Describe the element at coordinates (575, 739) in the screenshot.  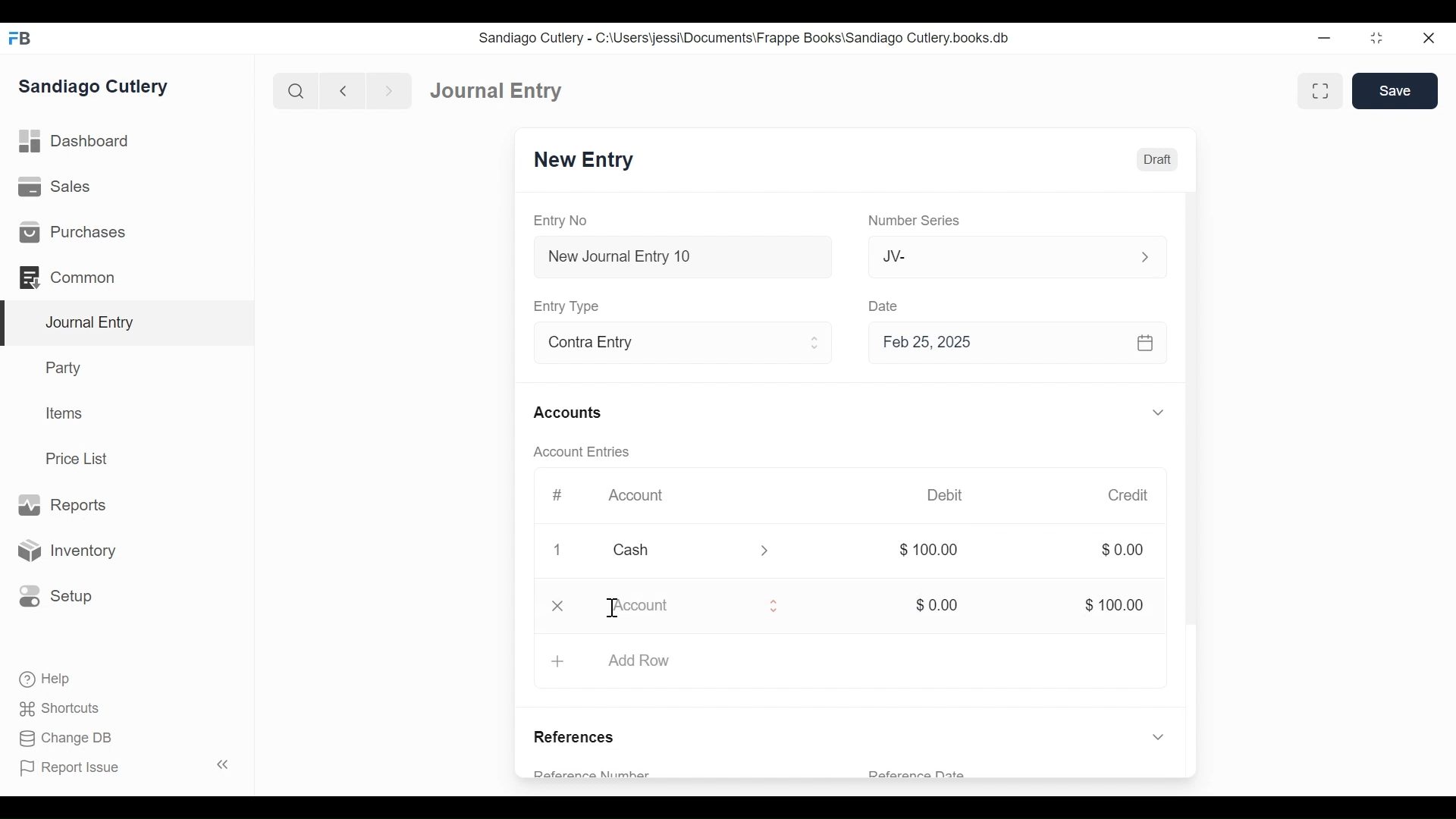
I see `References` at that location.